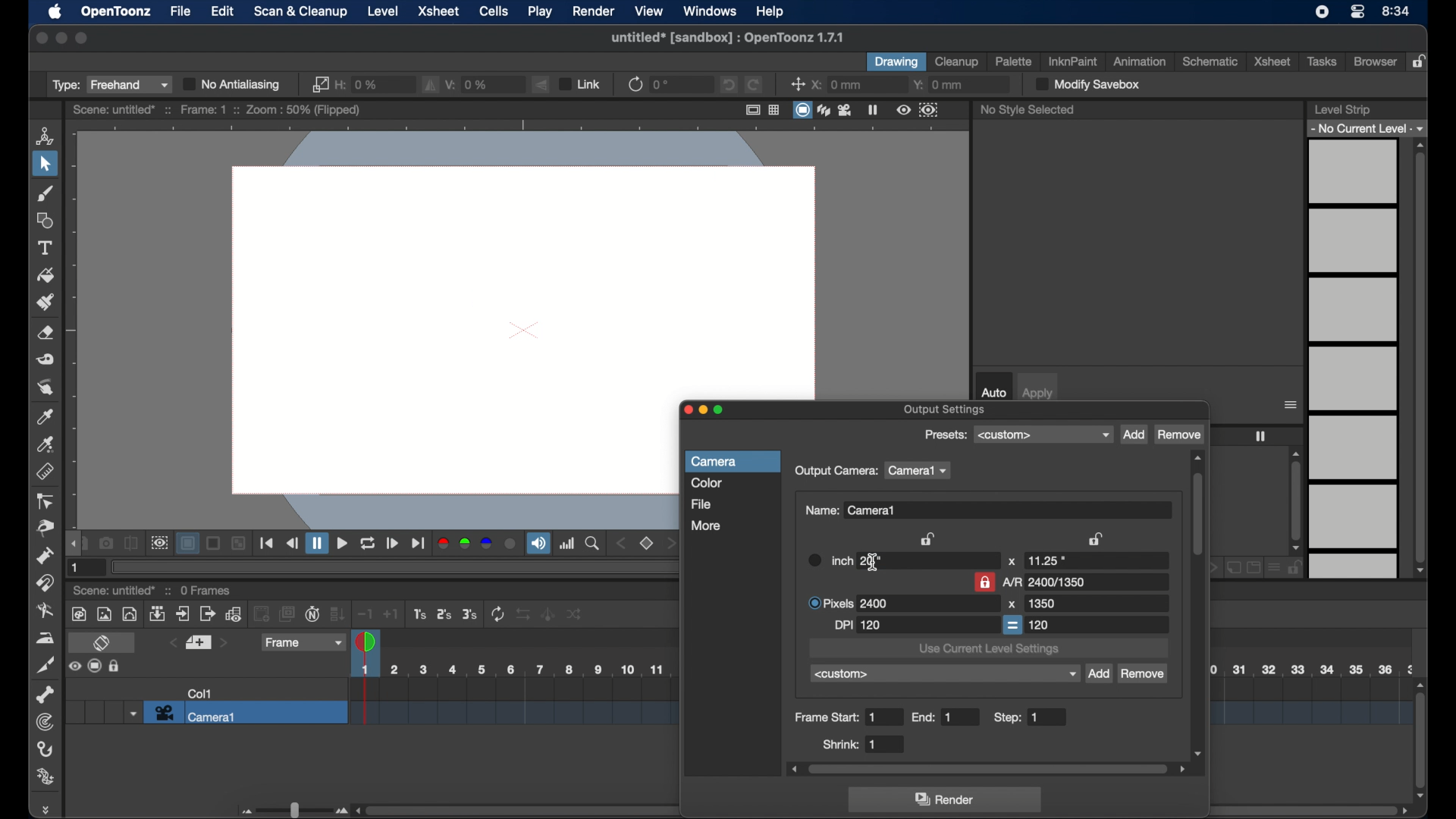 The height and width of the screenshot is (819, 1456). Describe the element at coordinates (106, 542) in the screenshot. I see `snapshot` at that location.